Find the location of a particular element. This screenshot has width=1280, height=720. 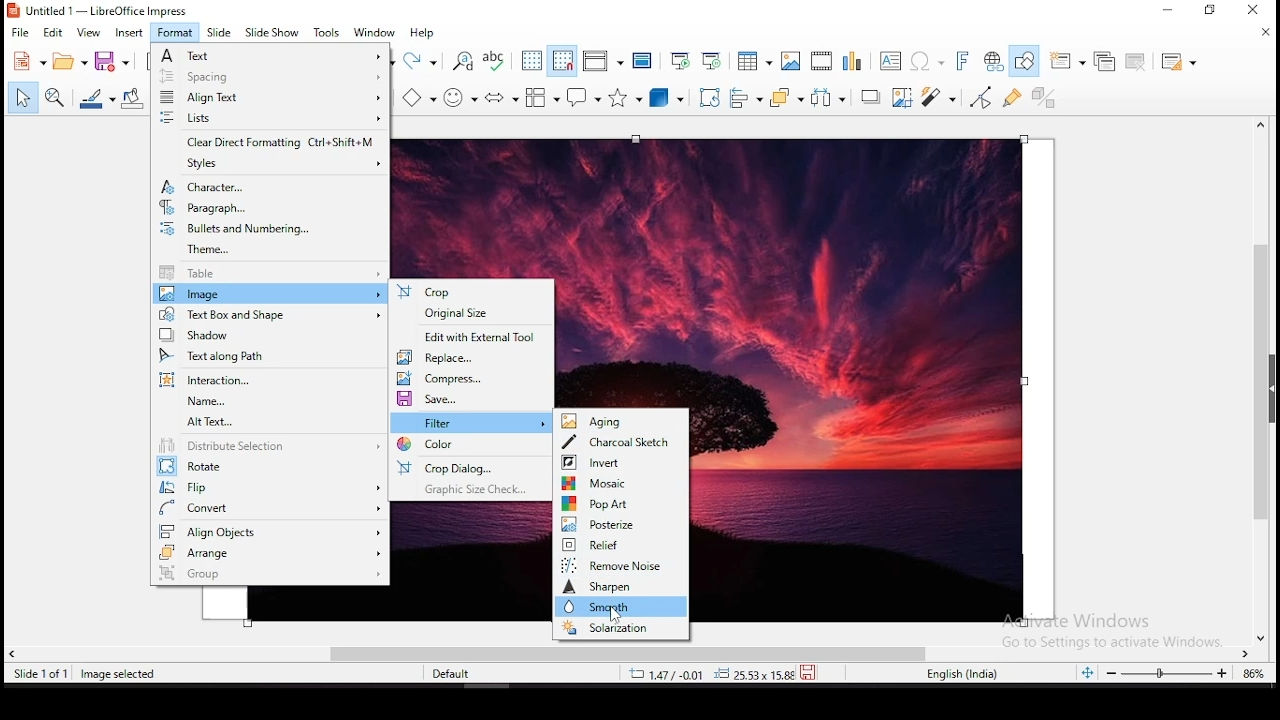

display views is located at coordinates (604, 62).